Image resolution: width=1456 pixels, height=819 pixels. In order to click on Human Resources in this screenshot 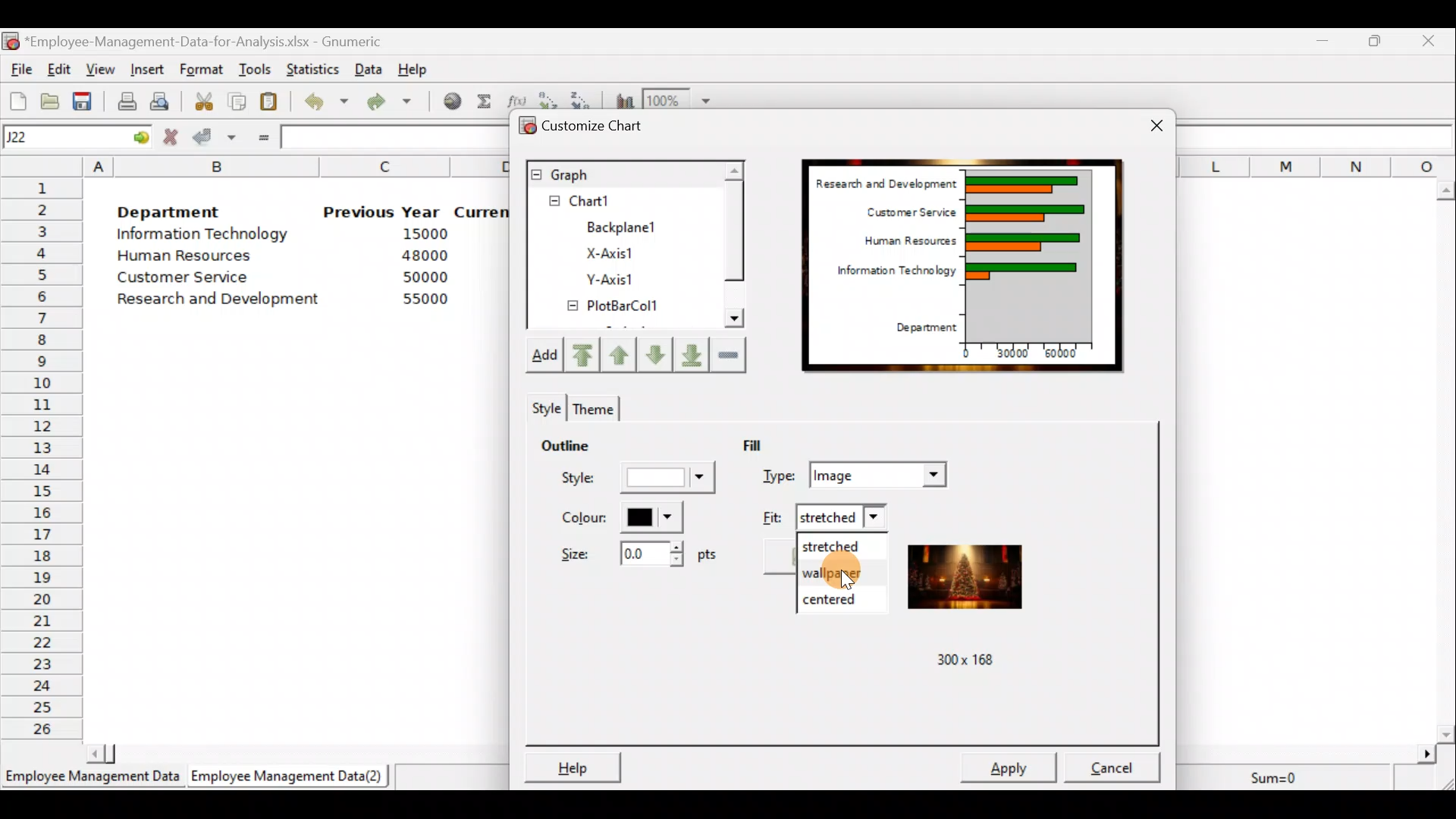, I will do `click(899, 242)`.